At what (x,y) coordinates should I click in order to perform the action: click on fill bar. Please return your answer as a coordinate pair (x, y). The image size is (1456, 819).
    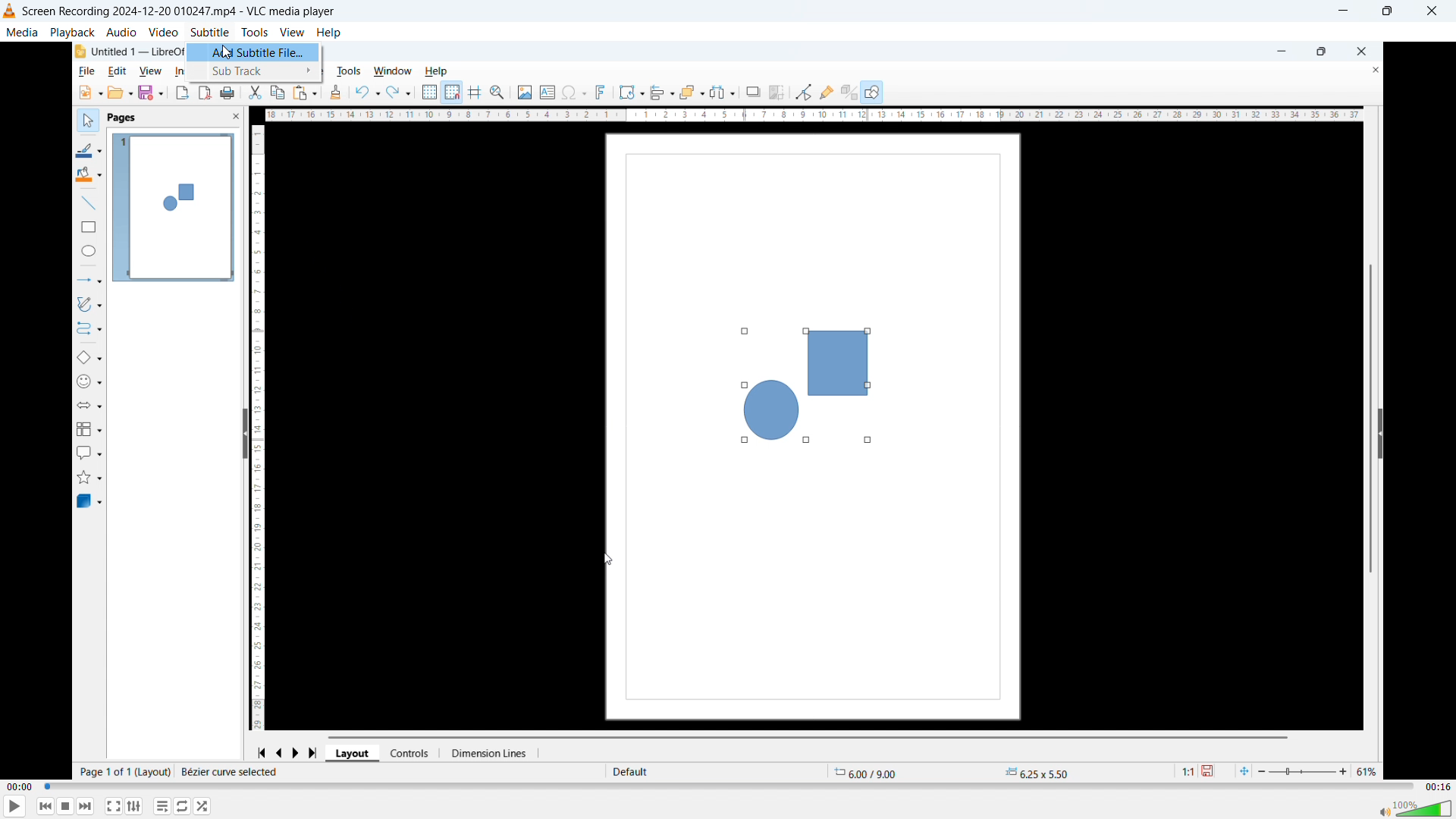
    Looking at the image, I should click on (88, 176).